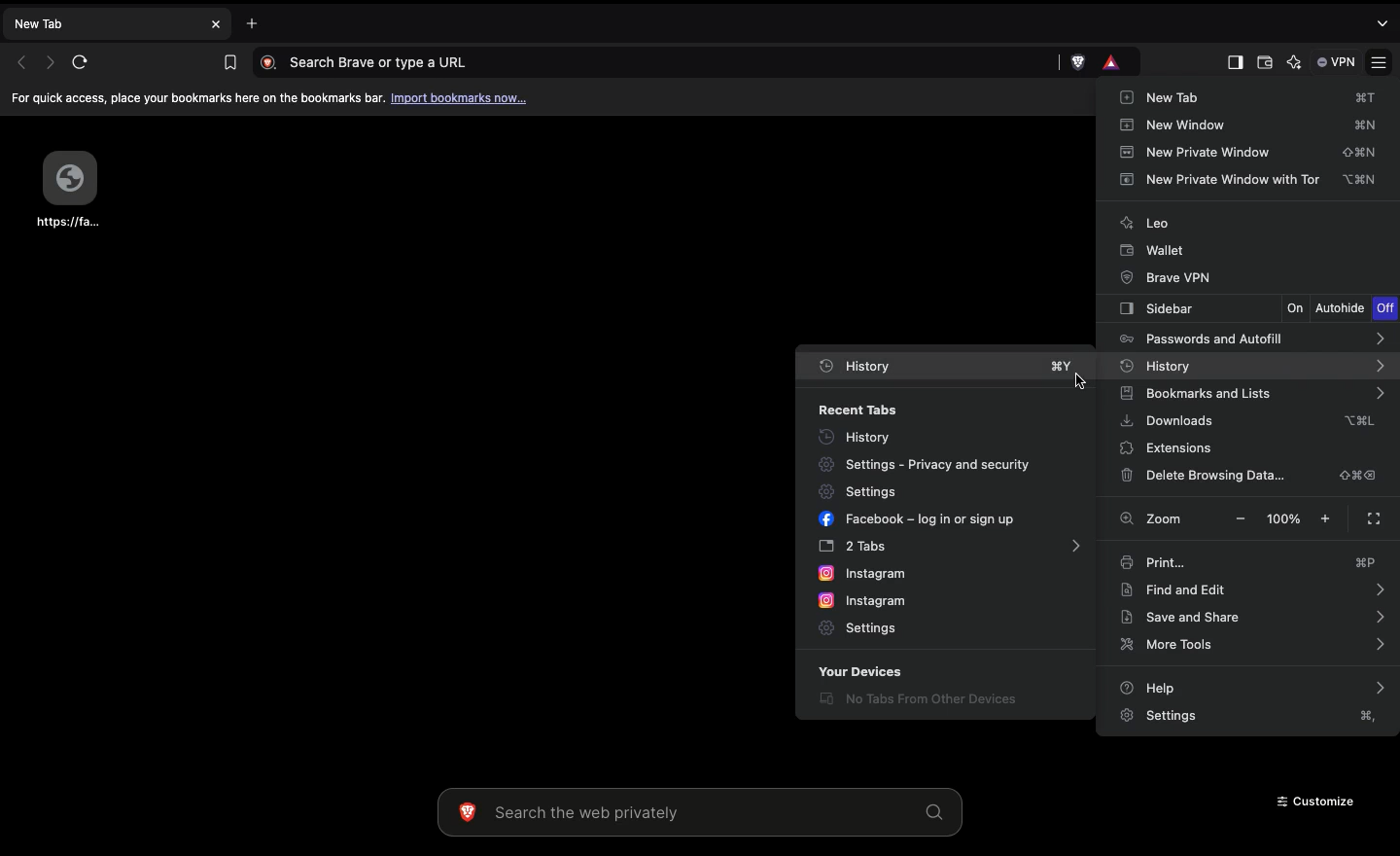 The image size is (1400, 856). What do you see at coordinates (652, 62) in the screenshot?
I see `Search Brave` at bounding box center [652, 62].